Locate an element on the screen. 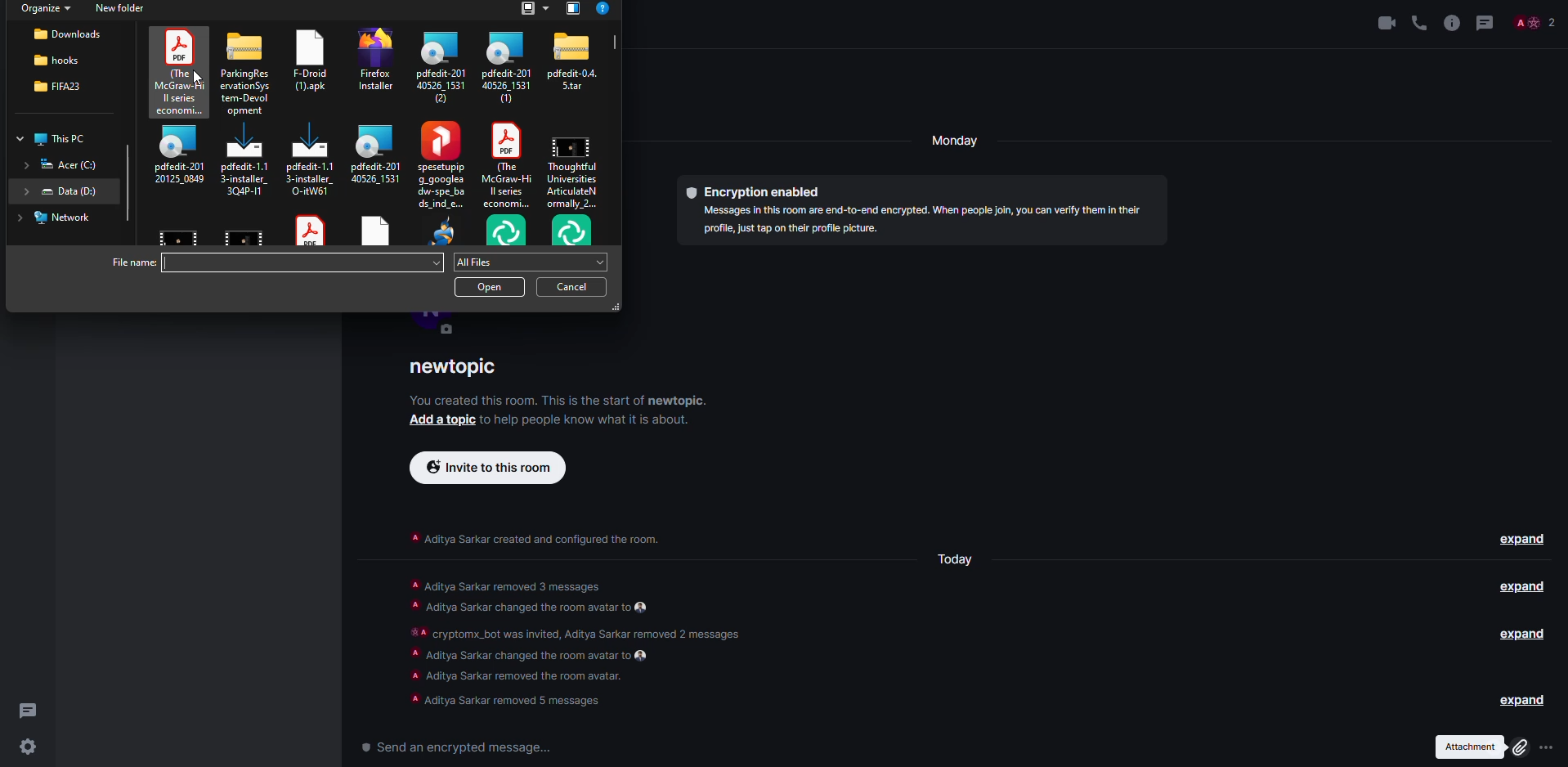  file is located at coordinates (171, 238).